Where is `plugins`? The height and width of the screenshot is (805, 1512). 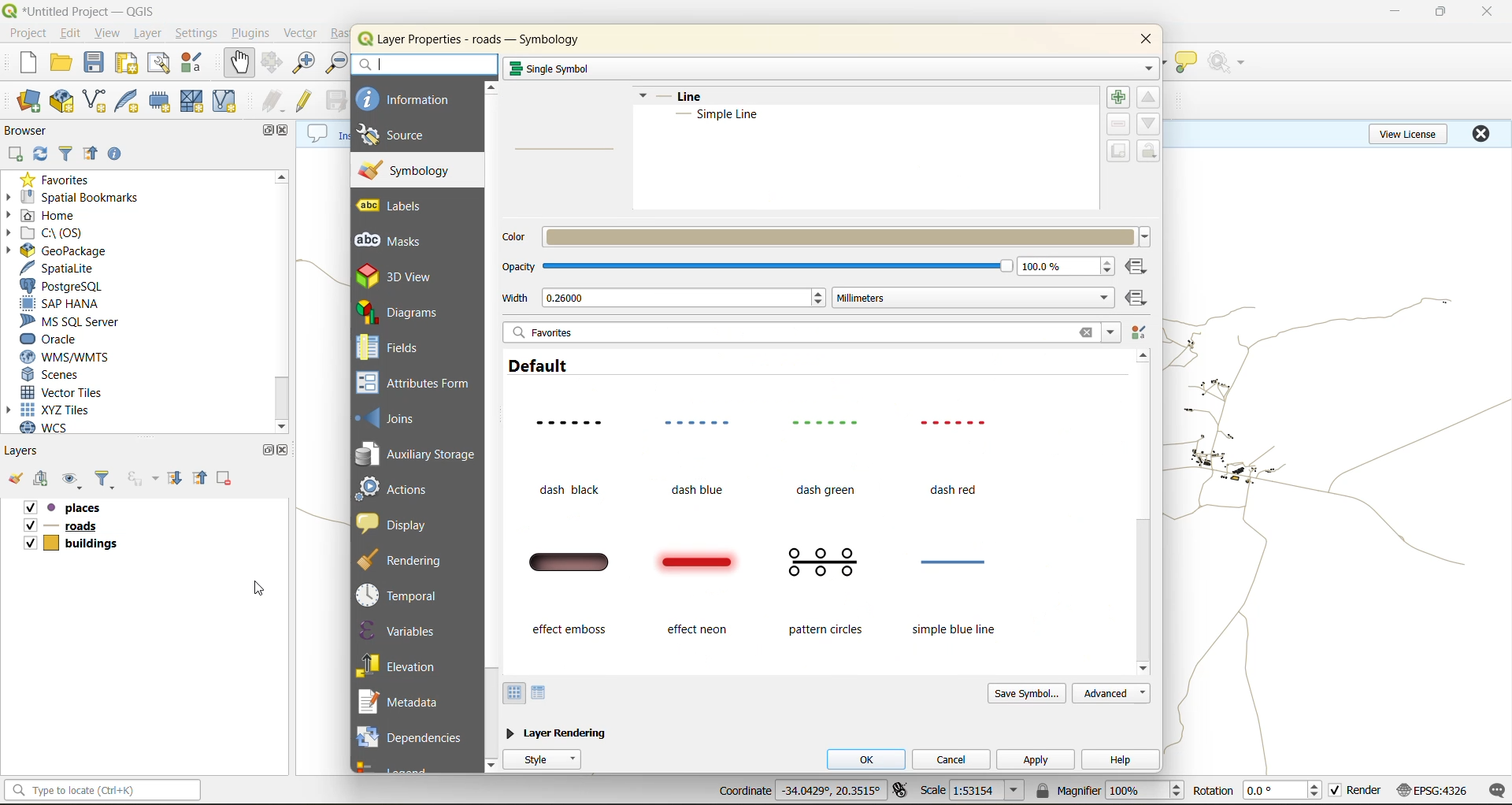 plugins is located at coordinates (254, 35).